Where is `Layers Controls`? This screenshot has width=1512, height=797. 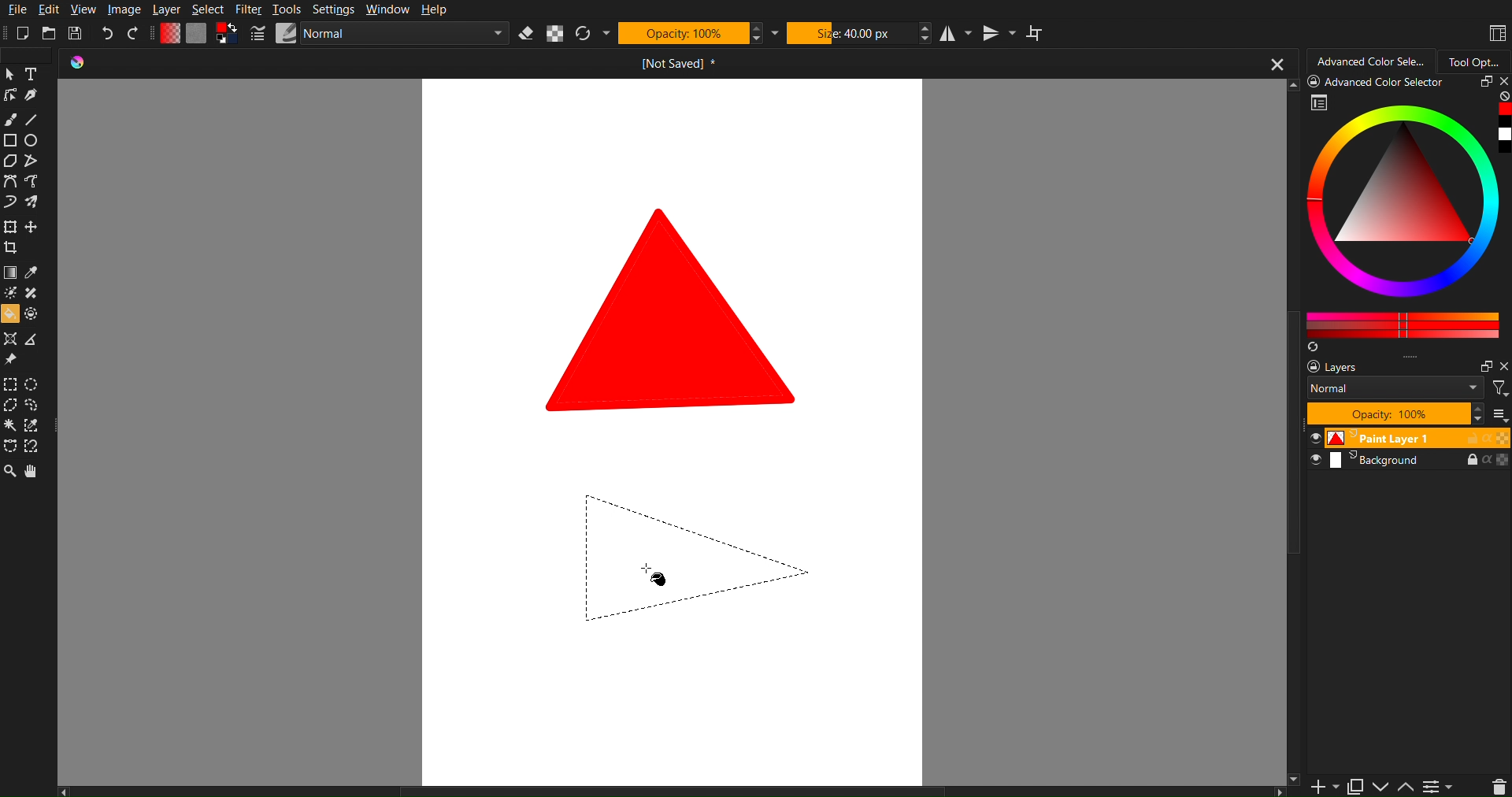
Layers Controls is located at coordinates (1407, 413).